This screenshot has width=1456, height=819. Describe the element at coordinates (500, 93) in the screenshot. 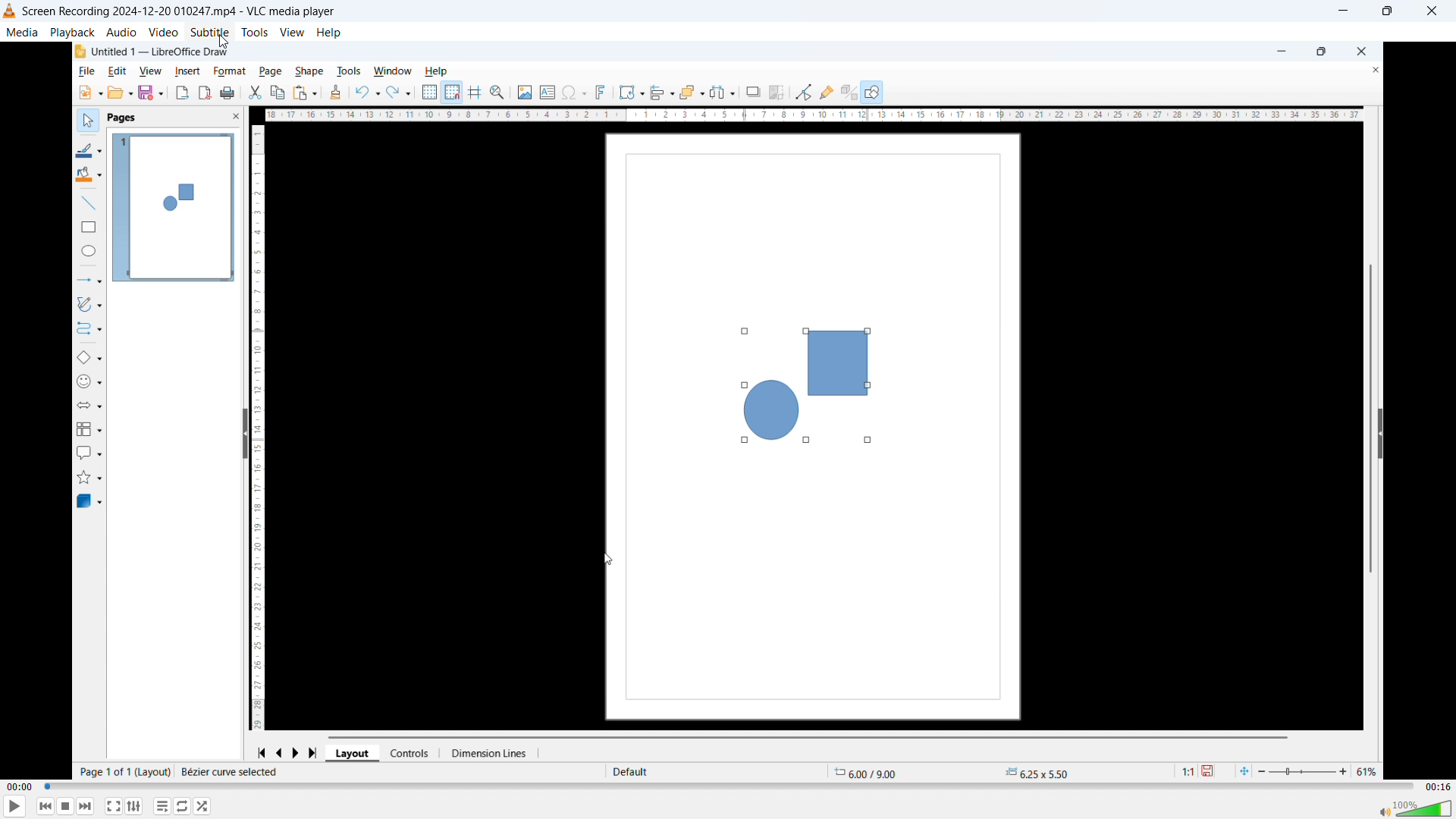

I see `zoom and pan` at that location.